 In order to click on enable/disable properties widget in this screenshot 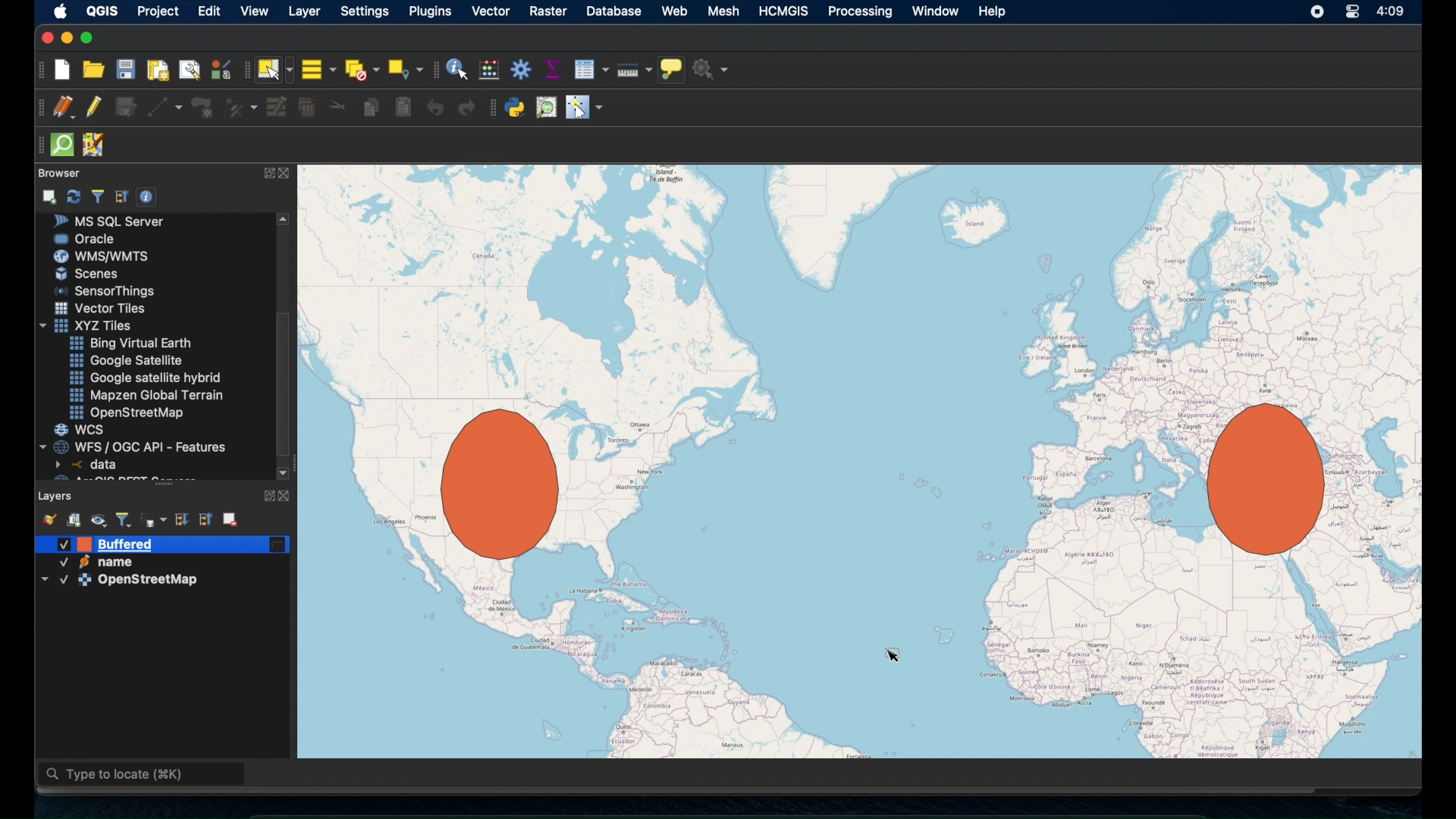, I will do `click(149, 197)`.